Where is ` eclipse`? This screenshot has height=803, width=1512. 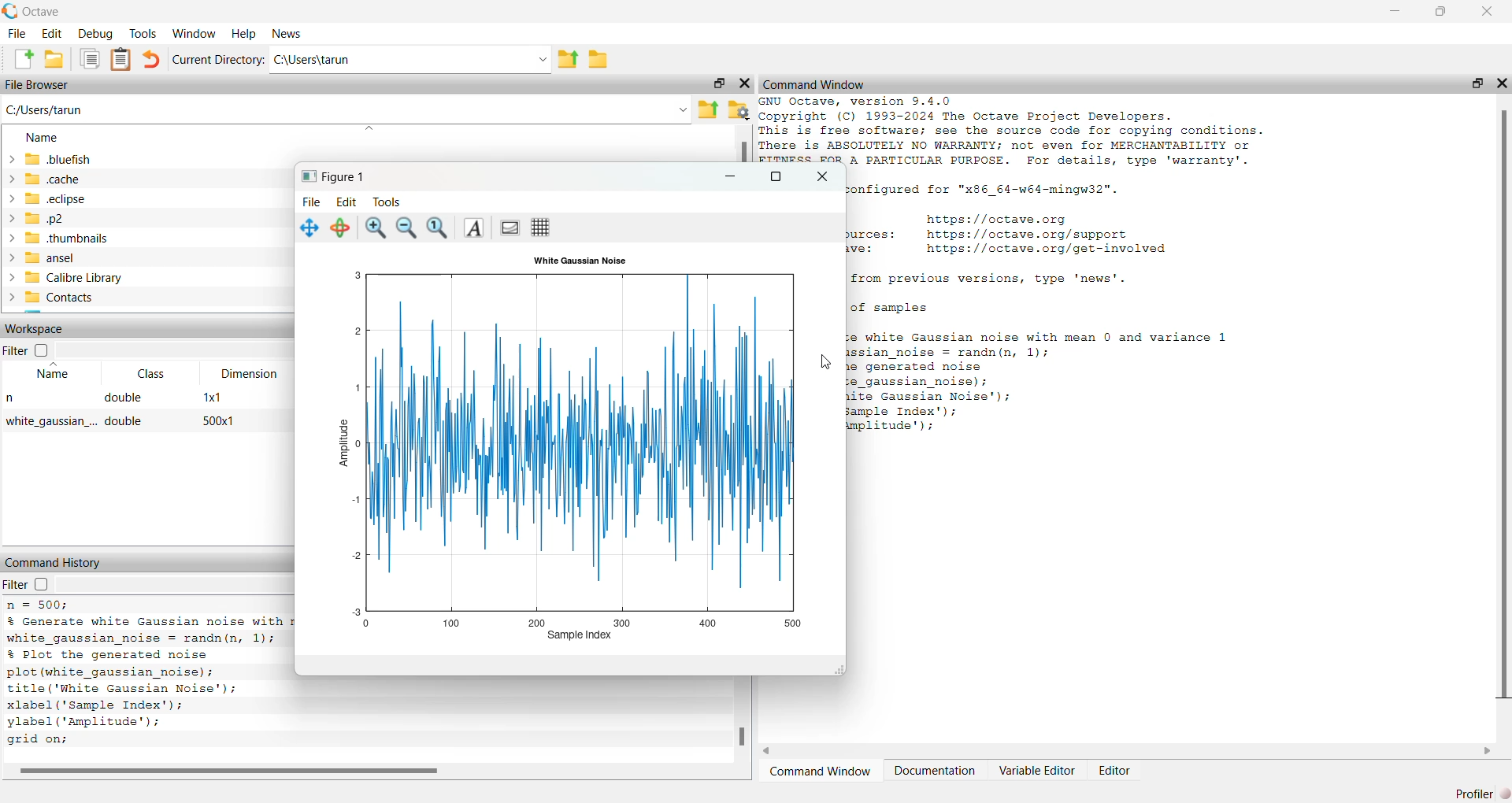
 eclipse is located at coordinates (49, 200).